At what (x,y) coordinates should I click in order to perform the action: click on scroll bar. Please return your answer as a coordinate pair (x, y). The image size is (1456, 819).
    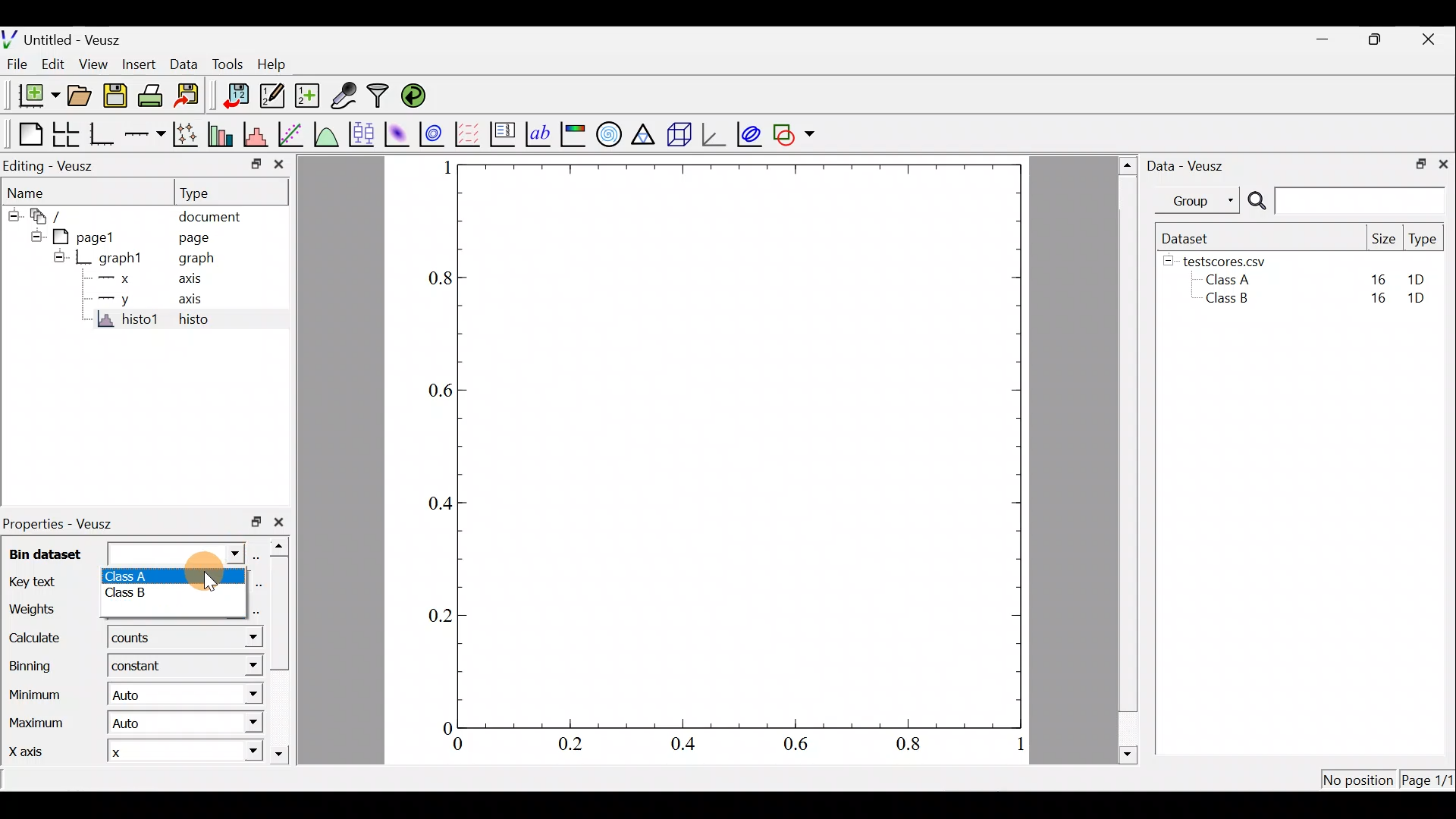
    Looking at the image, I should click on (1125, 460).